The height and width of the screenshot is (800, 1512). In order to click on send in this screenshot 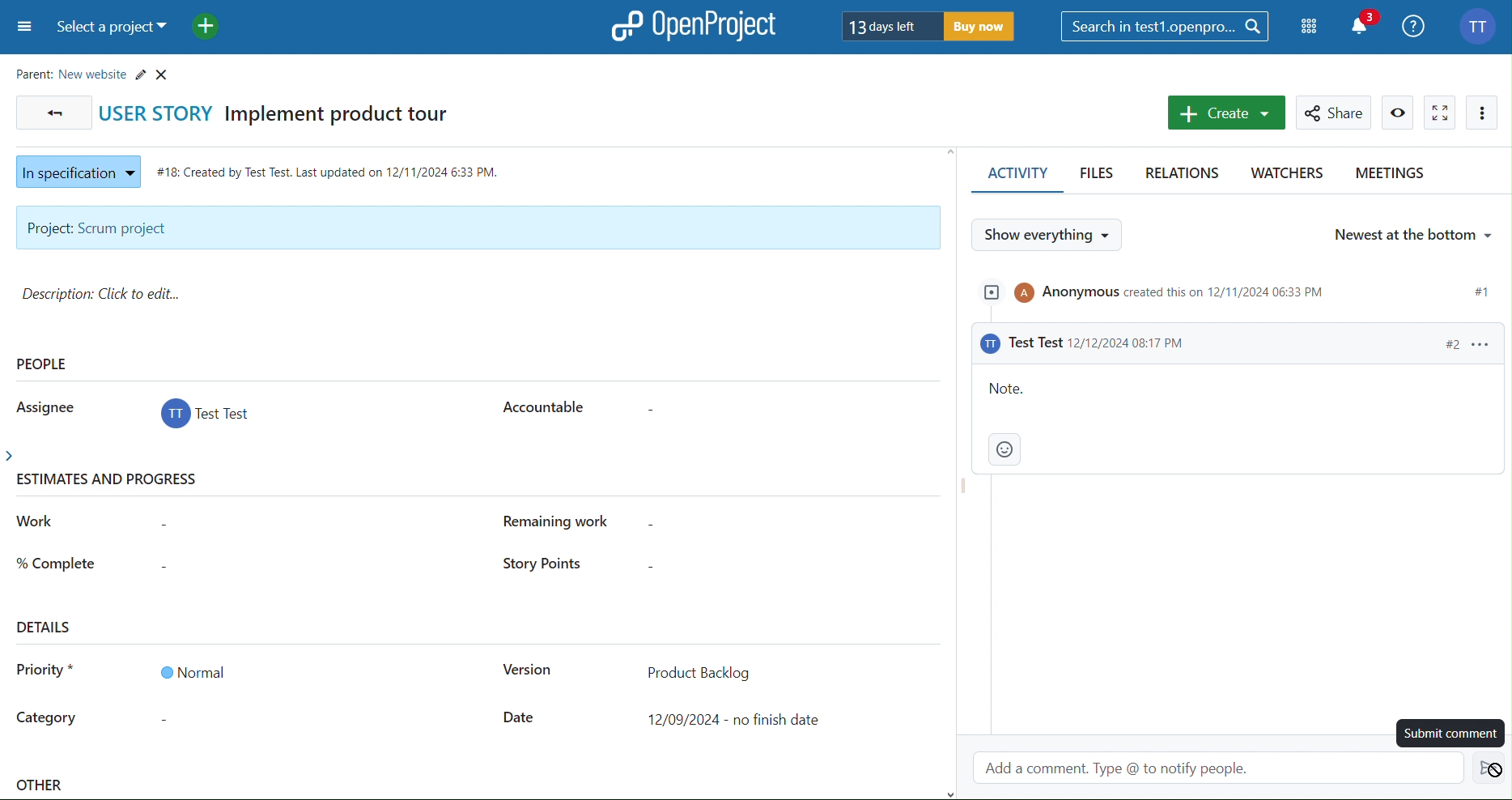, I will do `click(1489, 768)`.